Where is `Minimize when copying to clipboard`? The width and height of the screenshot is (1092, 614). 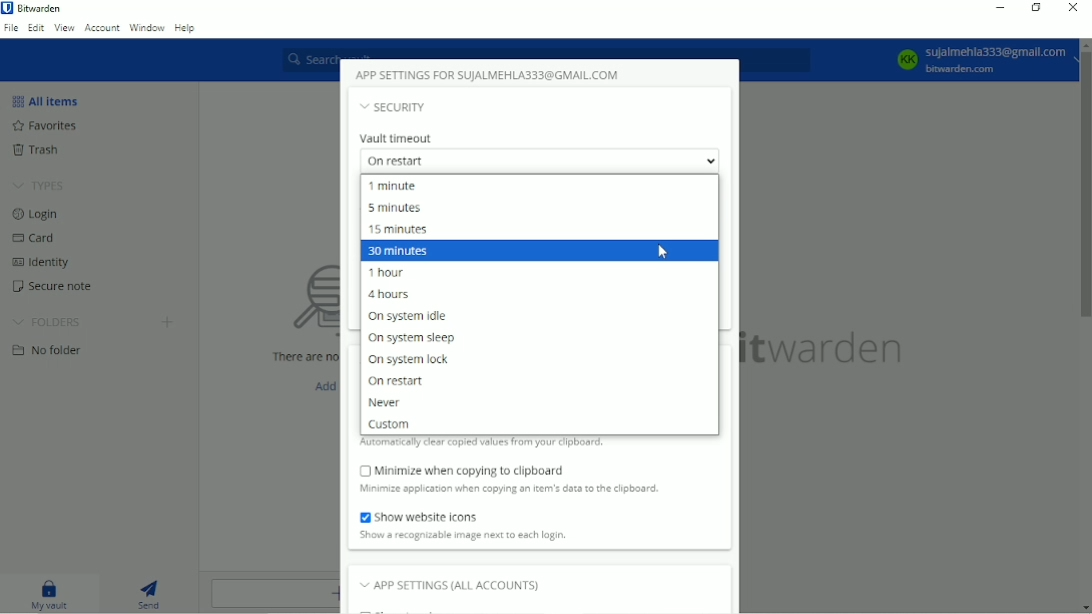
Minimize when copying to clipboard is located at coordinates (466, 470).